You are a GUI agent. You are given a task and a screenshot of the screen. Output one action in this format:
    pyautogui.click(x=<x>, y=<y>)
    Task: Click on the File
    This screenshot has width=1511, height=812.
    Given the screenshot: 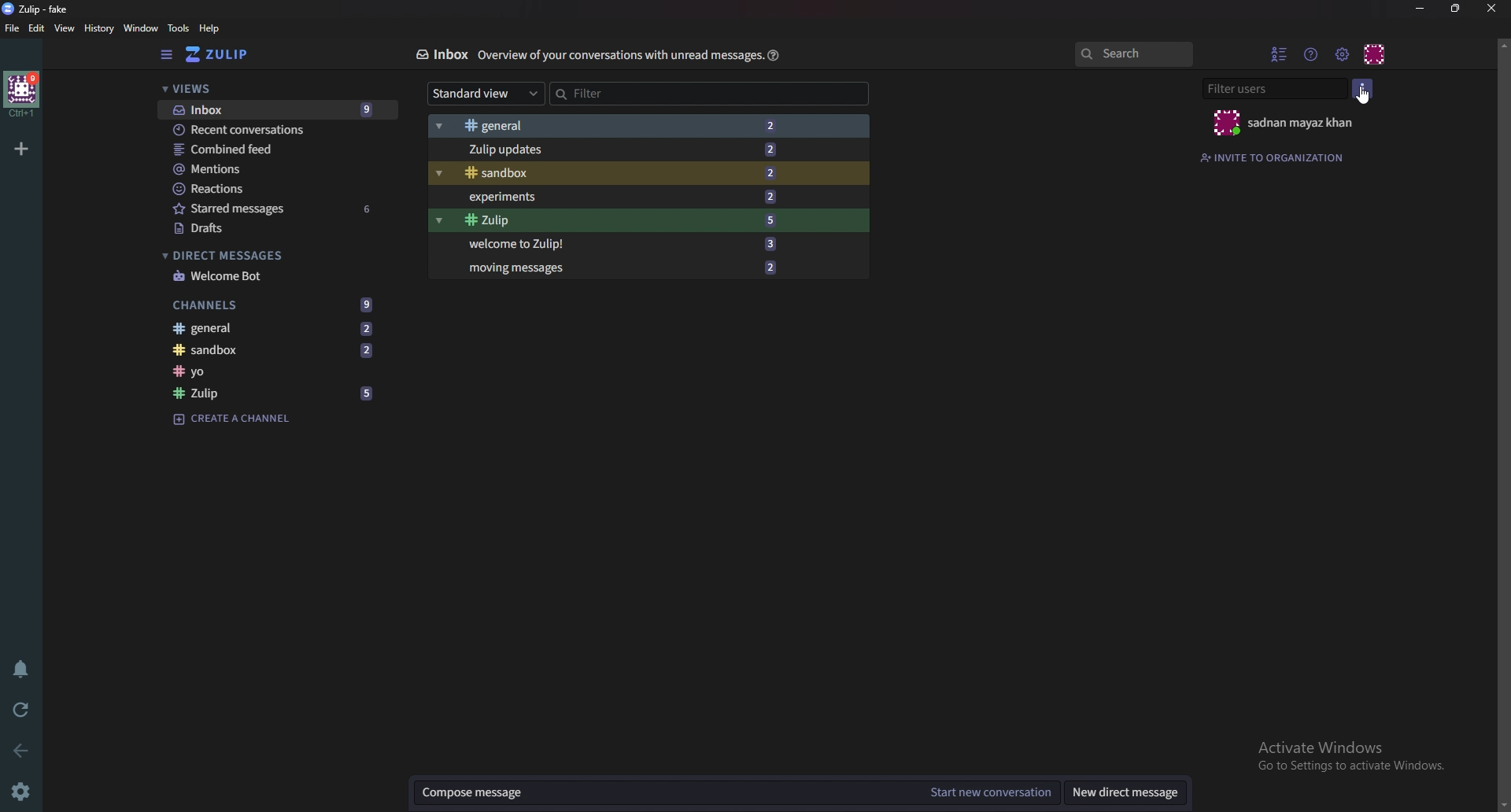 What is the action you would take?
    pyautogui.click(x=13, y=28)
    